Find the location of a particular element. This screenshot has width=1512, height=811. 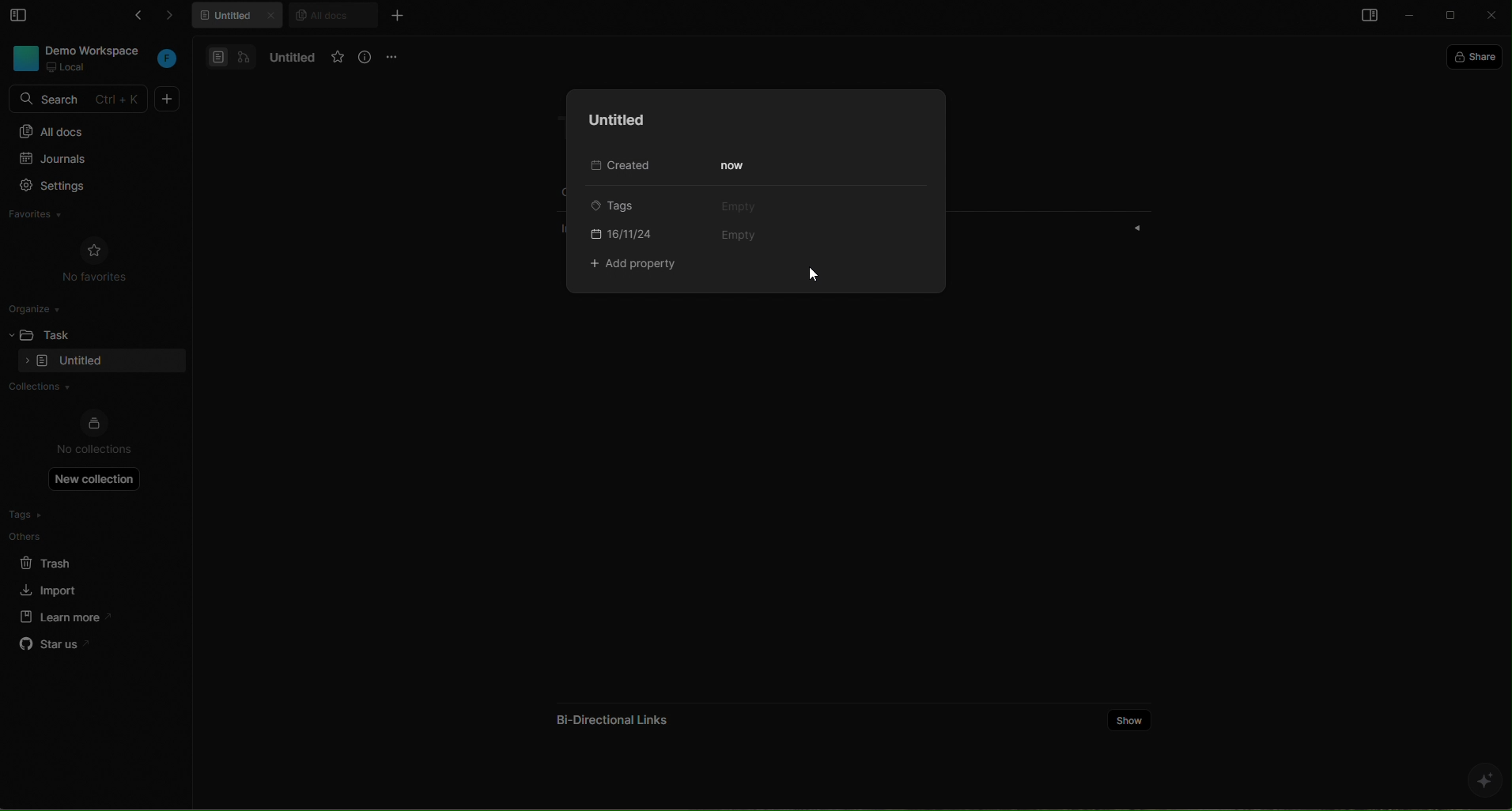

new doc is located at coordinates (168, 99).